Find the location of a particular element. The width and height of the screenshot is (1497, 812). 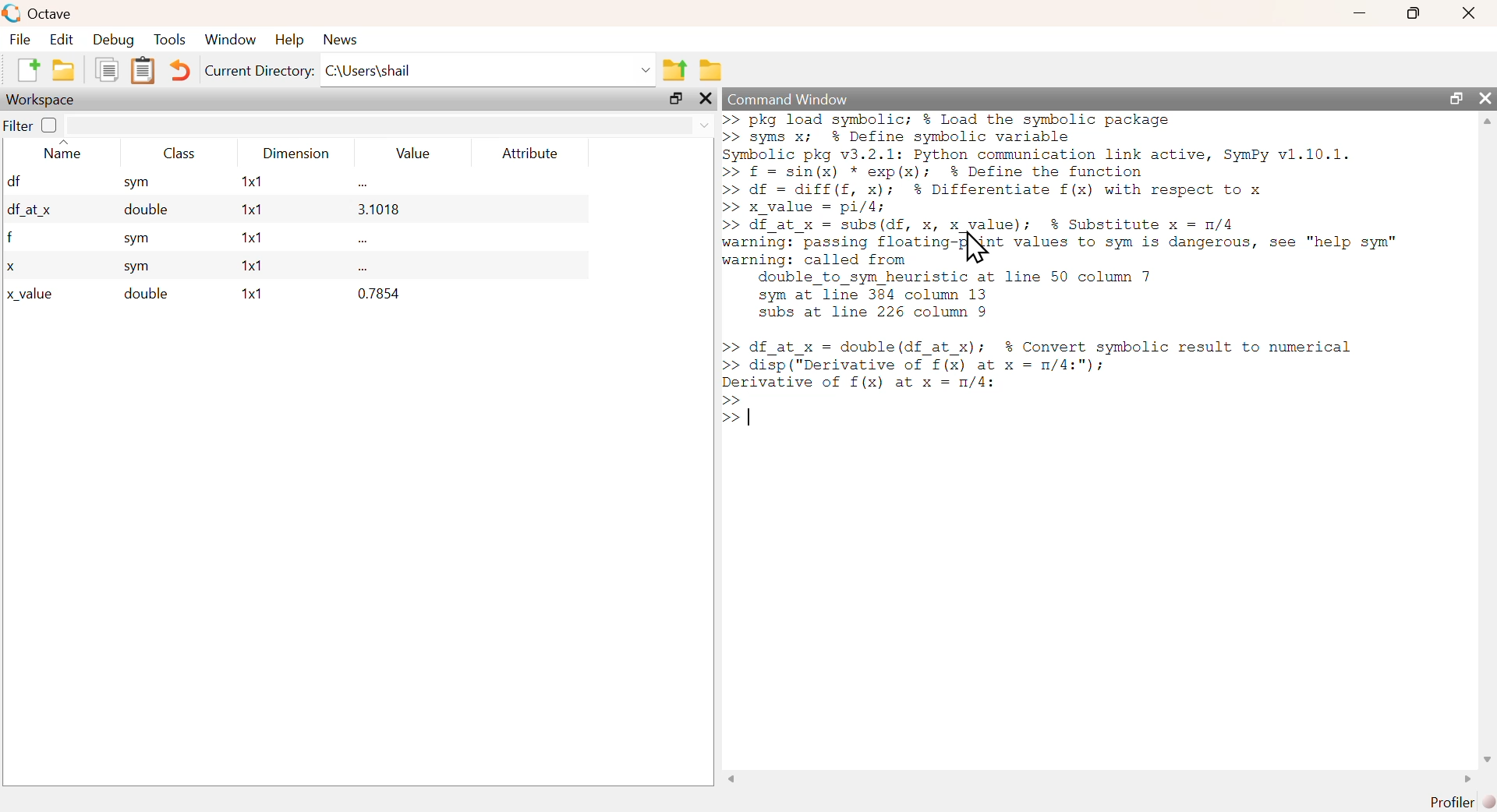

1x1 is located at coordinates (248, 267).